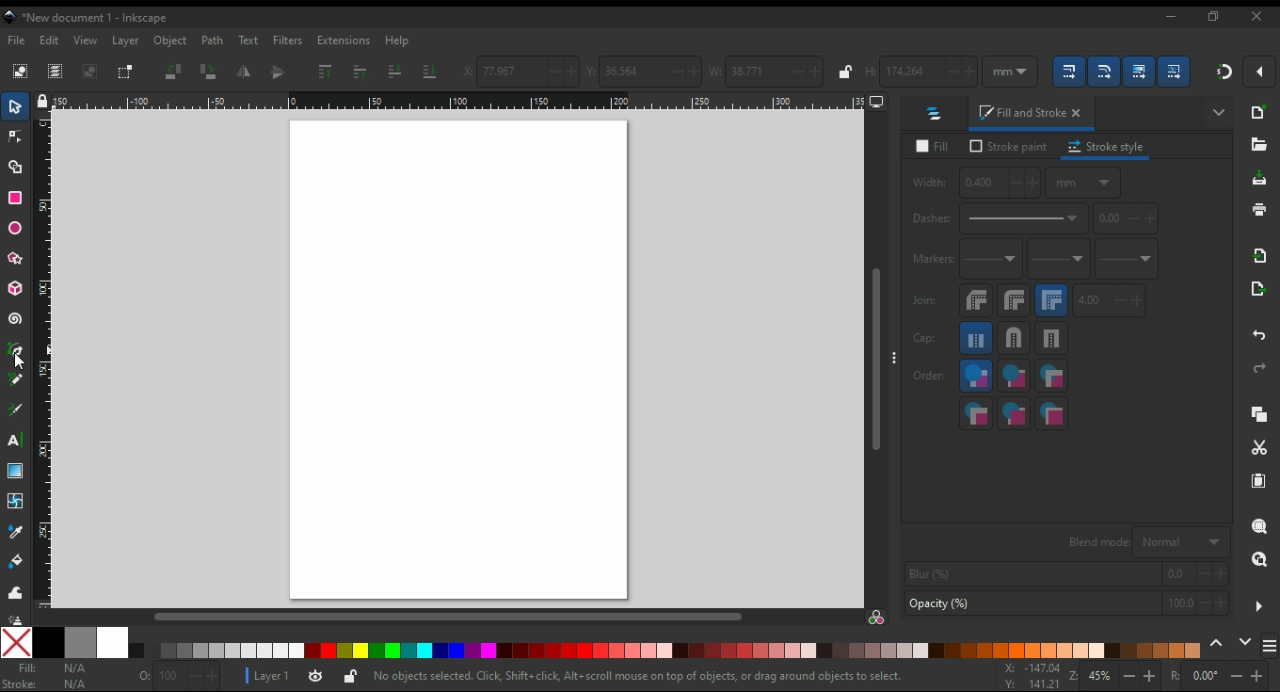  What do you see at coordinates (179, 674) in the screenshot?
I see `opacity` at bounding box center [179, 674].